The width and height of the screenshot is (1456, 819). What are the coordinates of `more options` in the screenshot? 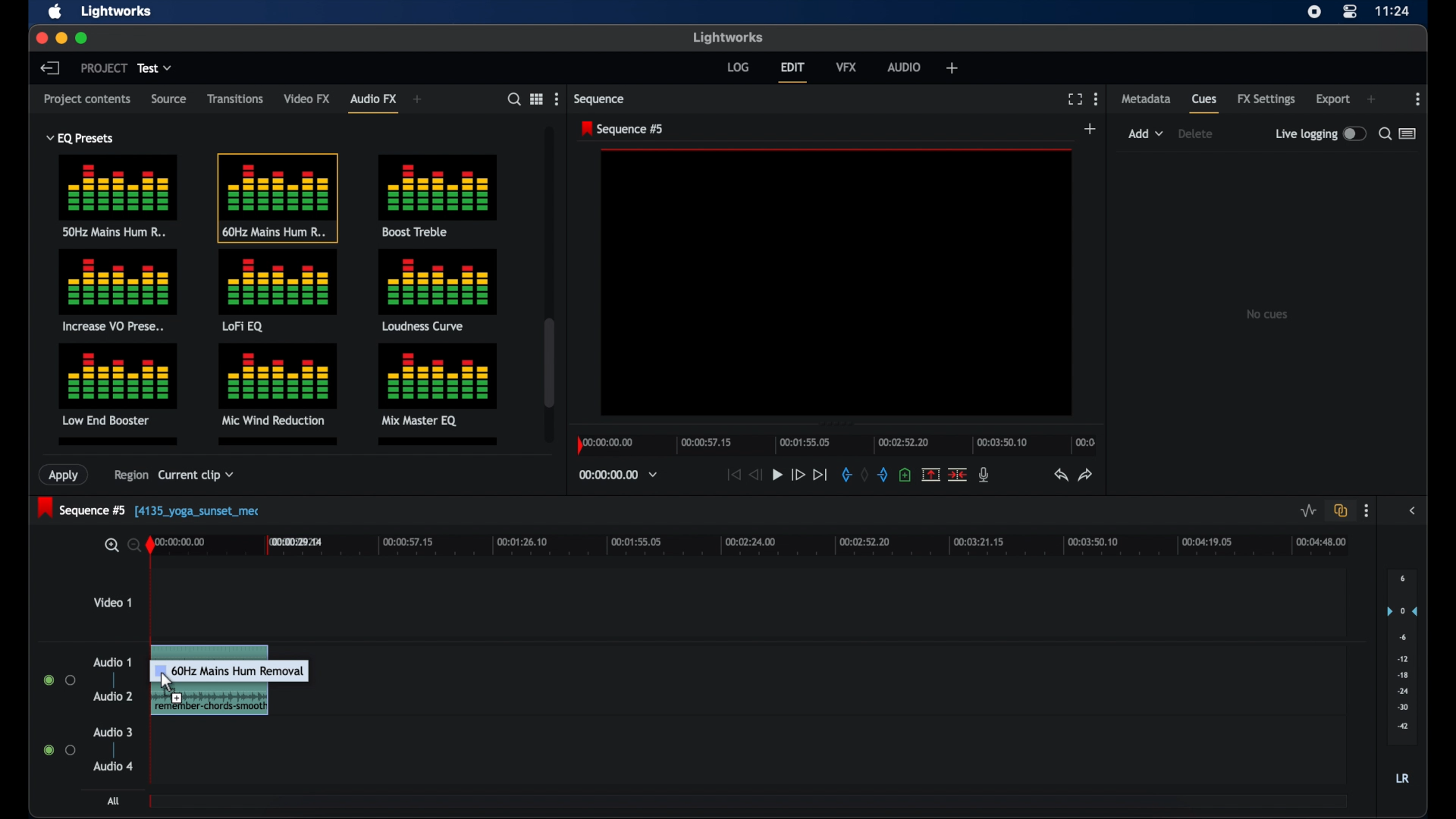 It's located at (1367, 511).